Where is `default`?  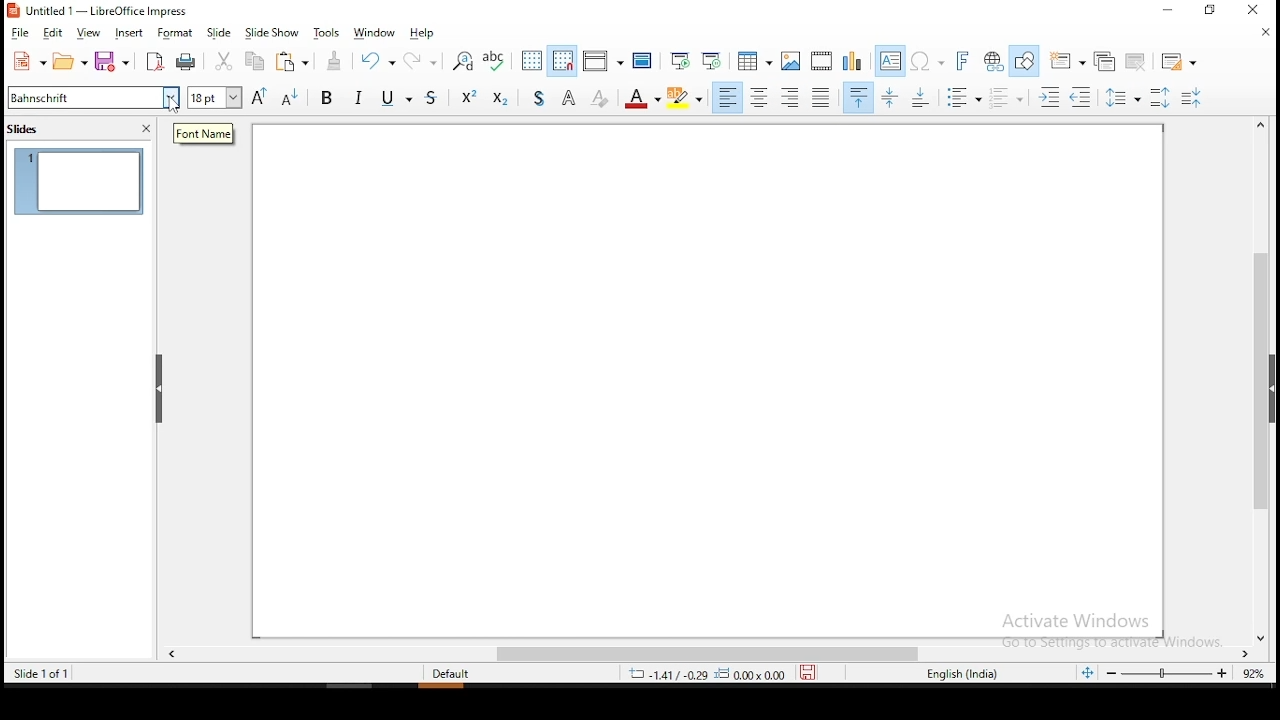
default is located at coordinates (456, 674).